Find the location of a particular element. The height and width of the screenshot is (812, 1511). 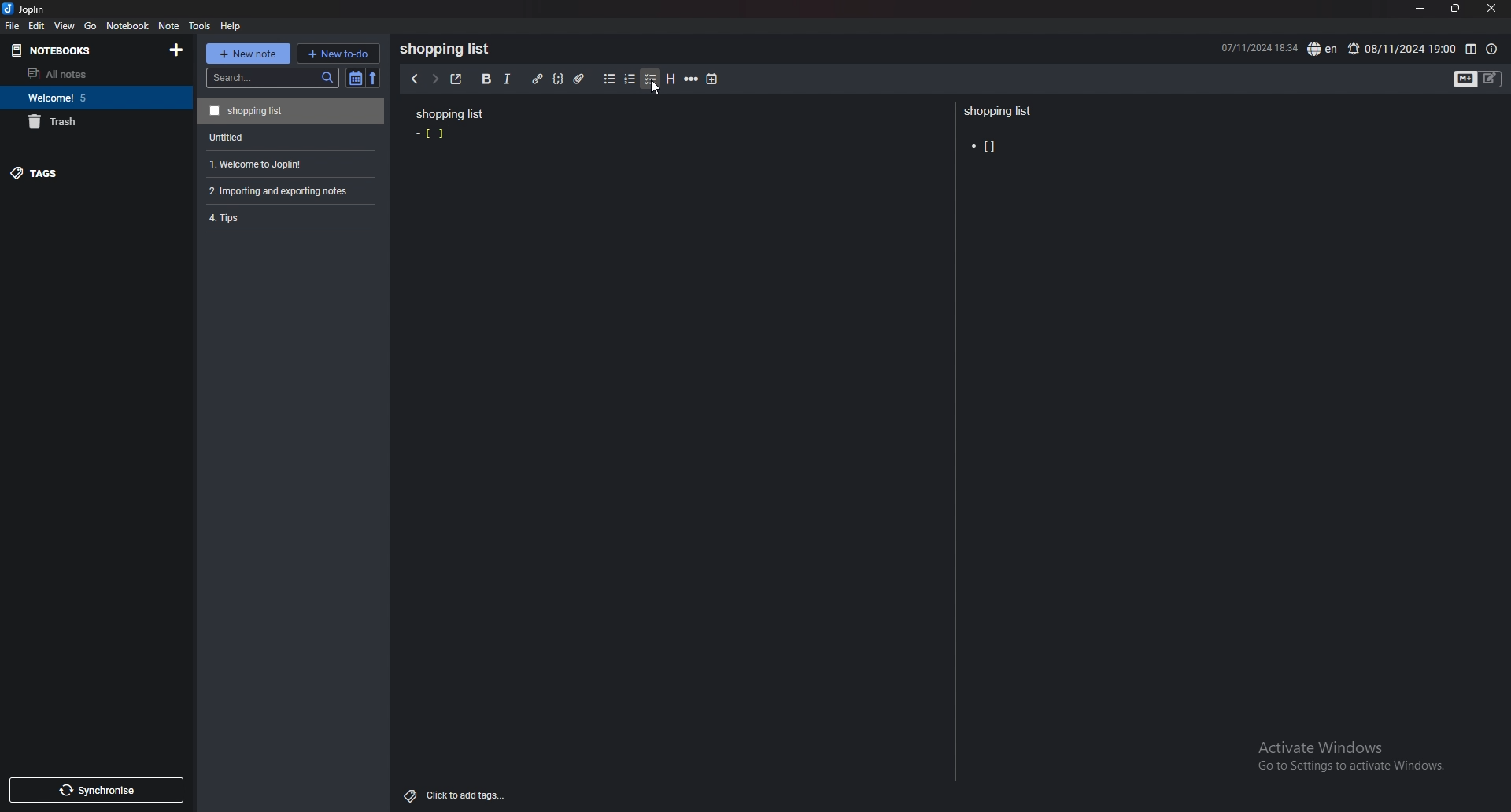

note is located at coordinates (170, 26).